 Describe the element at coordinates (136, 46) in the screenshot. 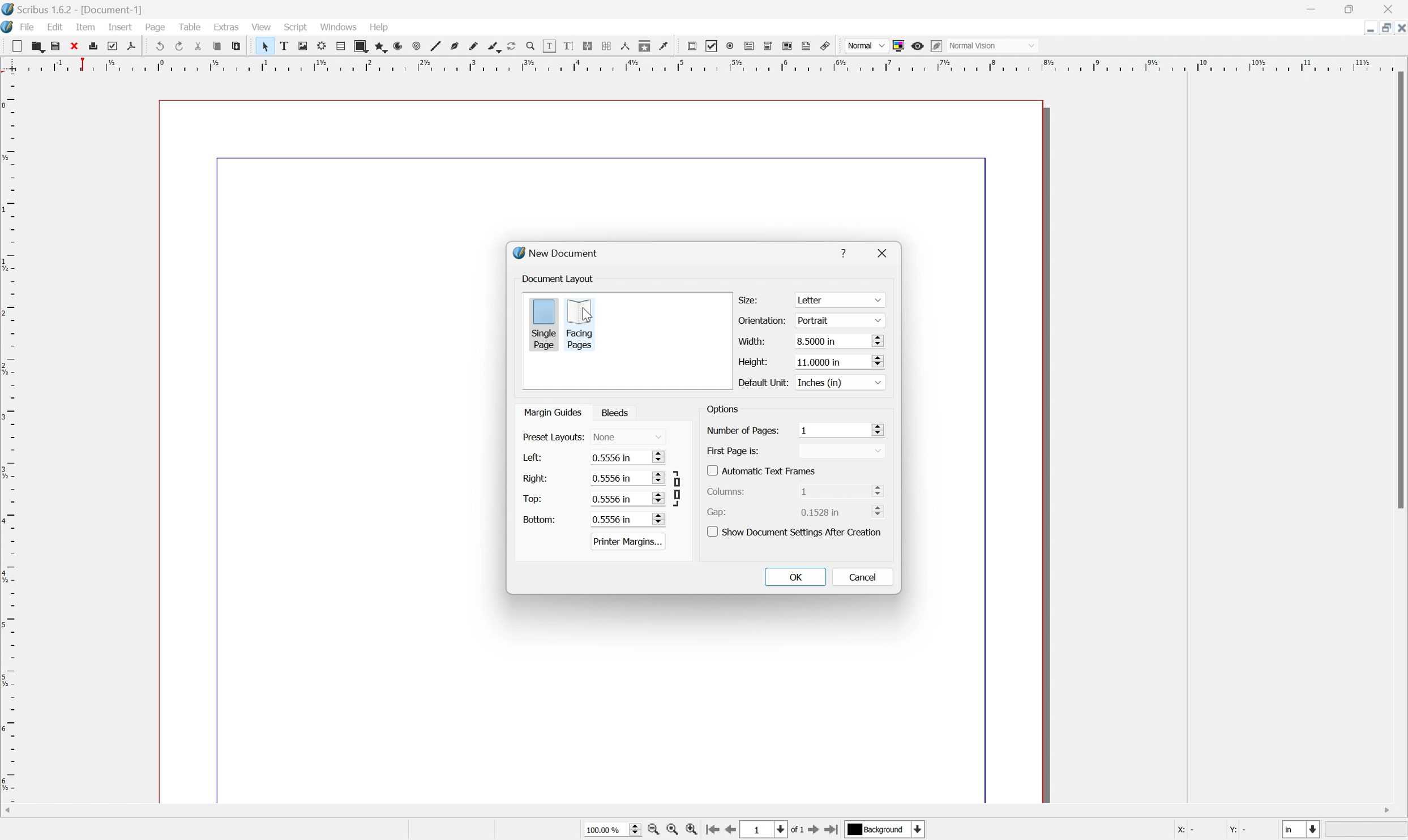

I see `Save as PDF` at that location.